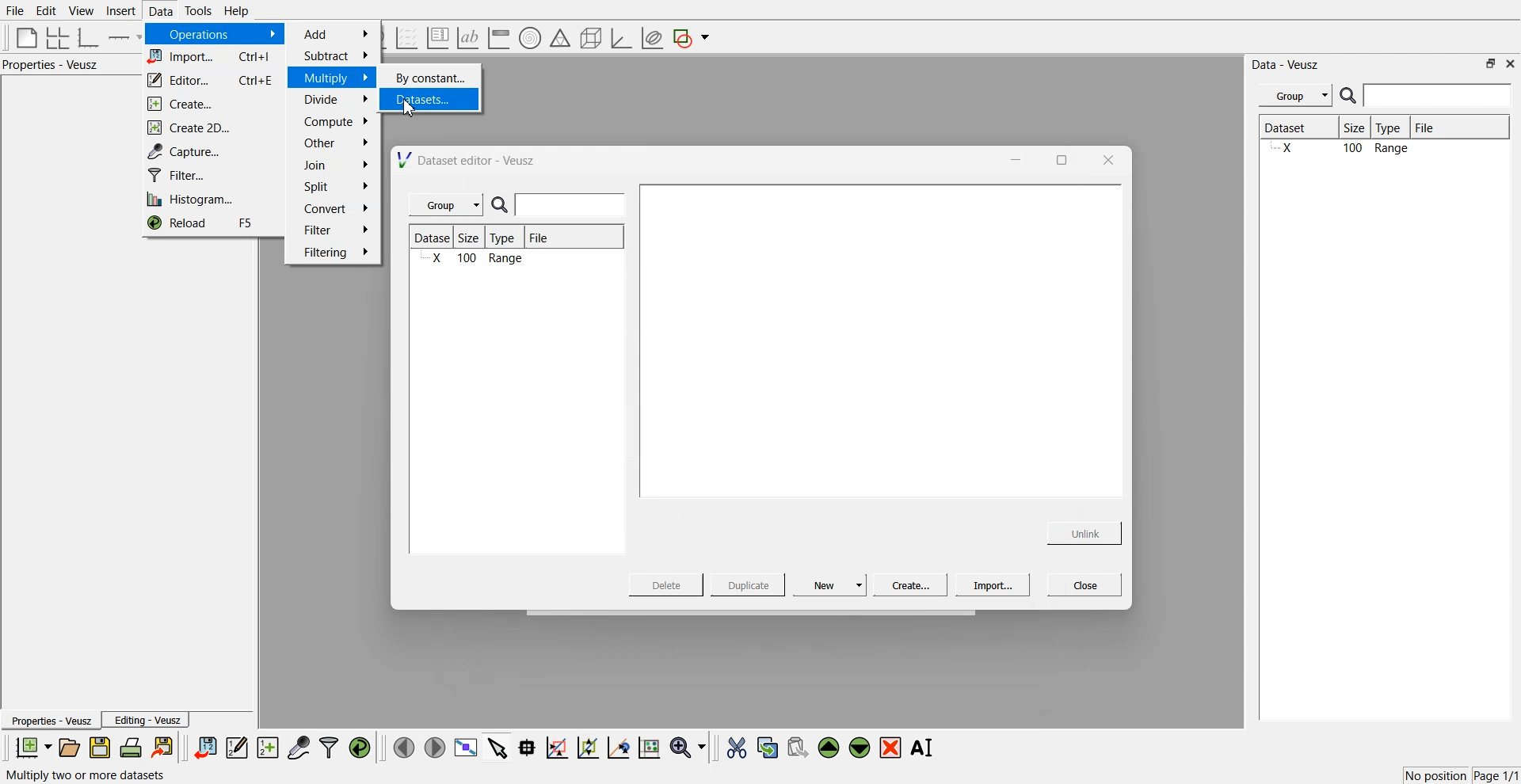  I want to click on paste the selected widgets, so click(796, 747).